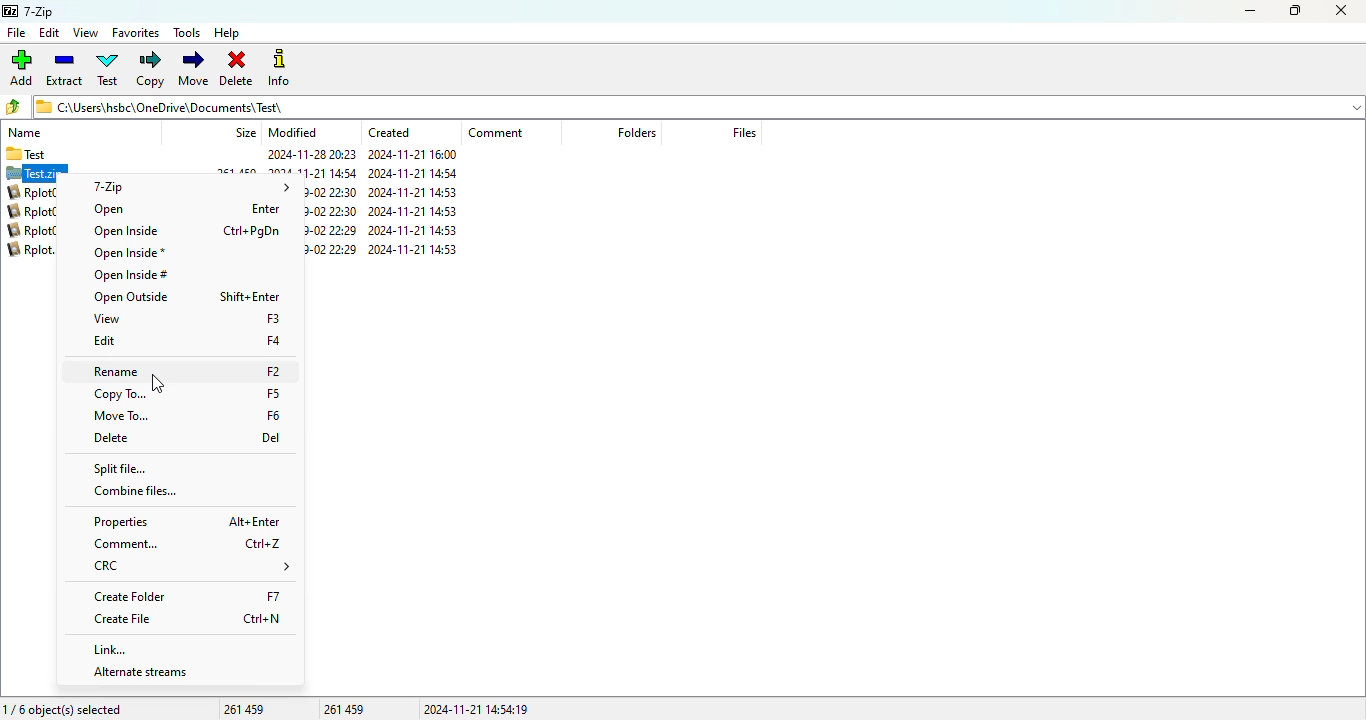 The image size is (1366, 720). What do you see at coordinates (141, 672) in the screenshot?
I see `alternate streams` at bounding box center [141, 672].